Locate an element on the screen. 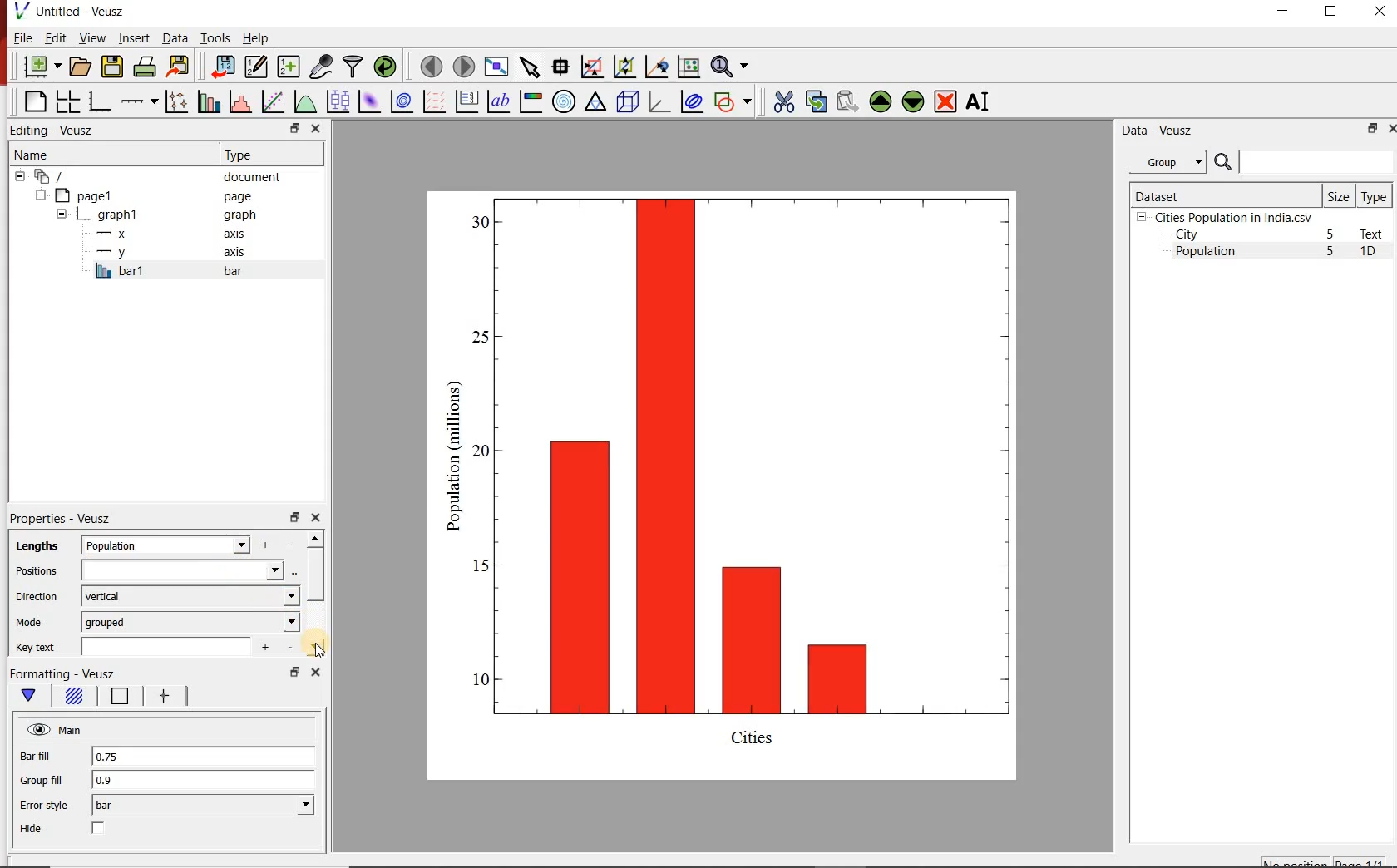  Ternary graph is located at coordinates (595, 102).